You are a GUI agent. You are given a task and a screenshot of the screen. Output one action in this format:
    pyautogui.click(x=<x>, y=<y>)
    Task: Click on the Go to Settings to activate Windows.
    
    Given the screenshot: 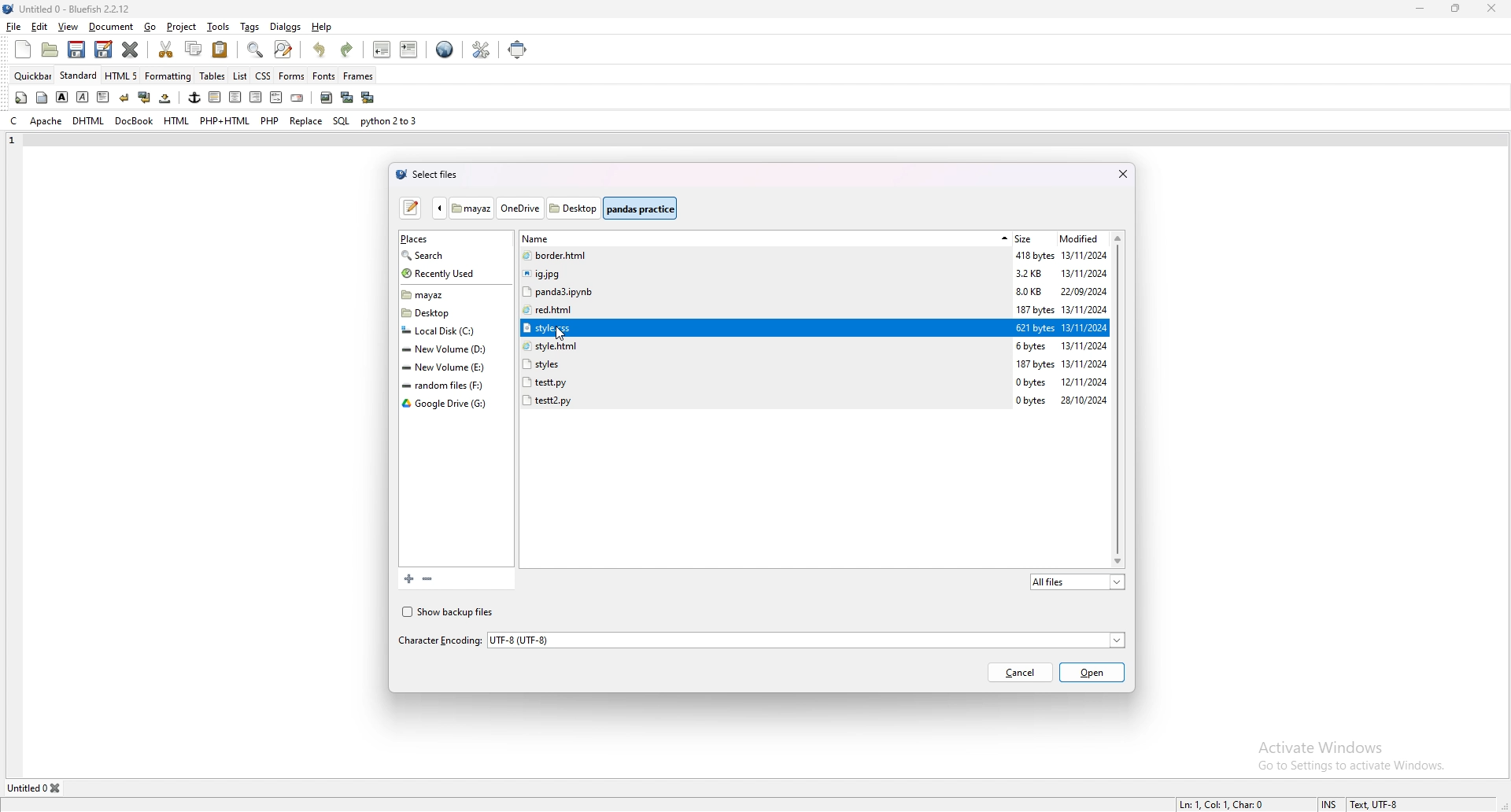 What is the action you would take?
    pyautogui.click(x=1355, y=767)
    